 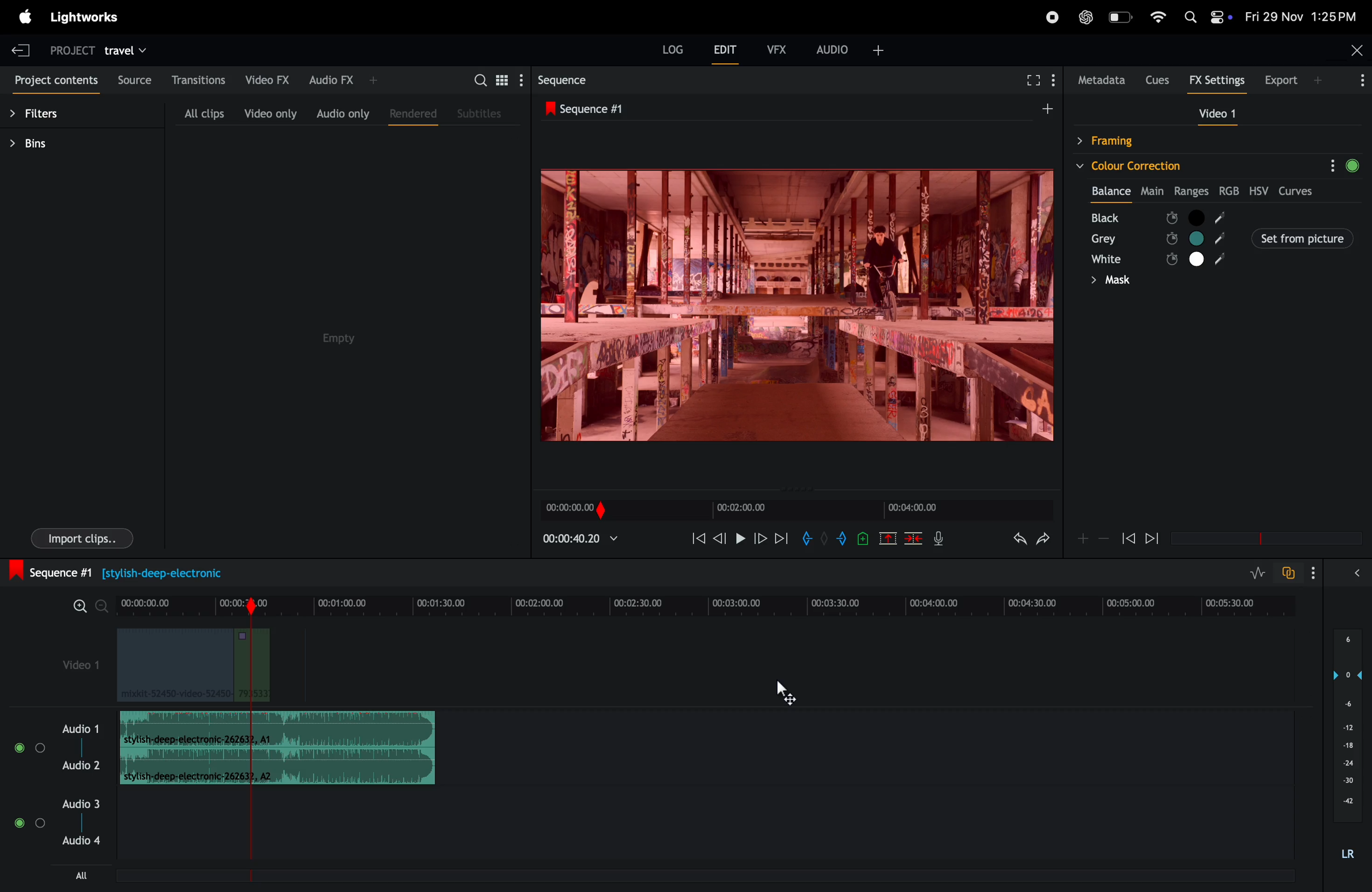 I want to click on video 1, so click(x=1213, y=113).